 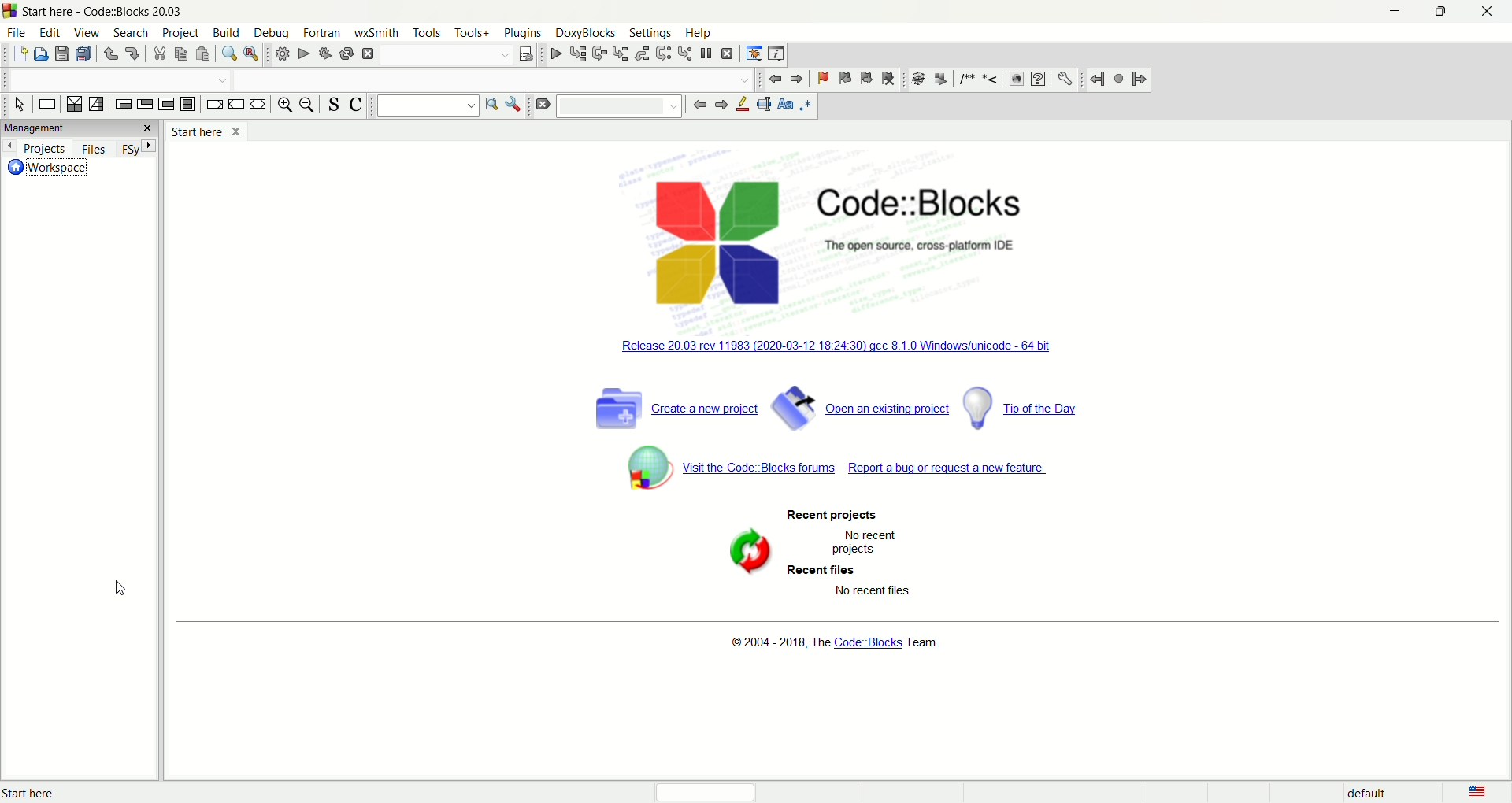 I want to click on symbol, so click(x=747, y=552).